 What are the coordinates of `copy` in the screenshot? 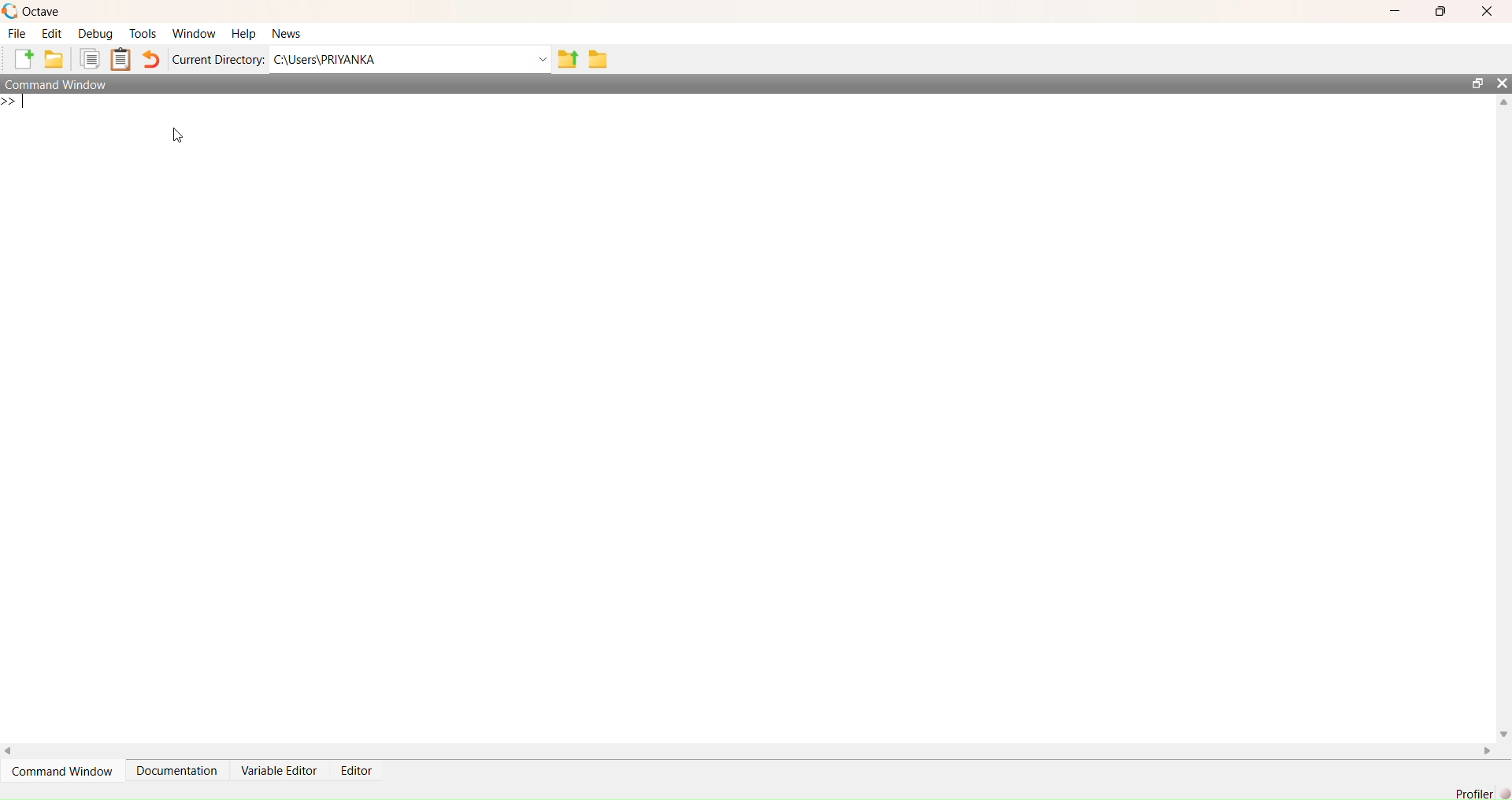 It's located at (91, 61).